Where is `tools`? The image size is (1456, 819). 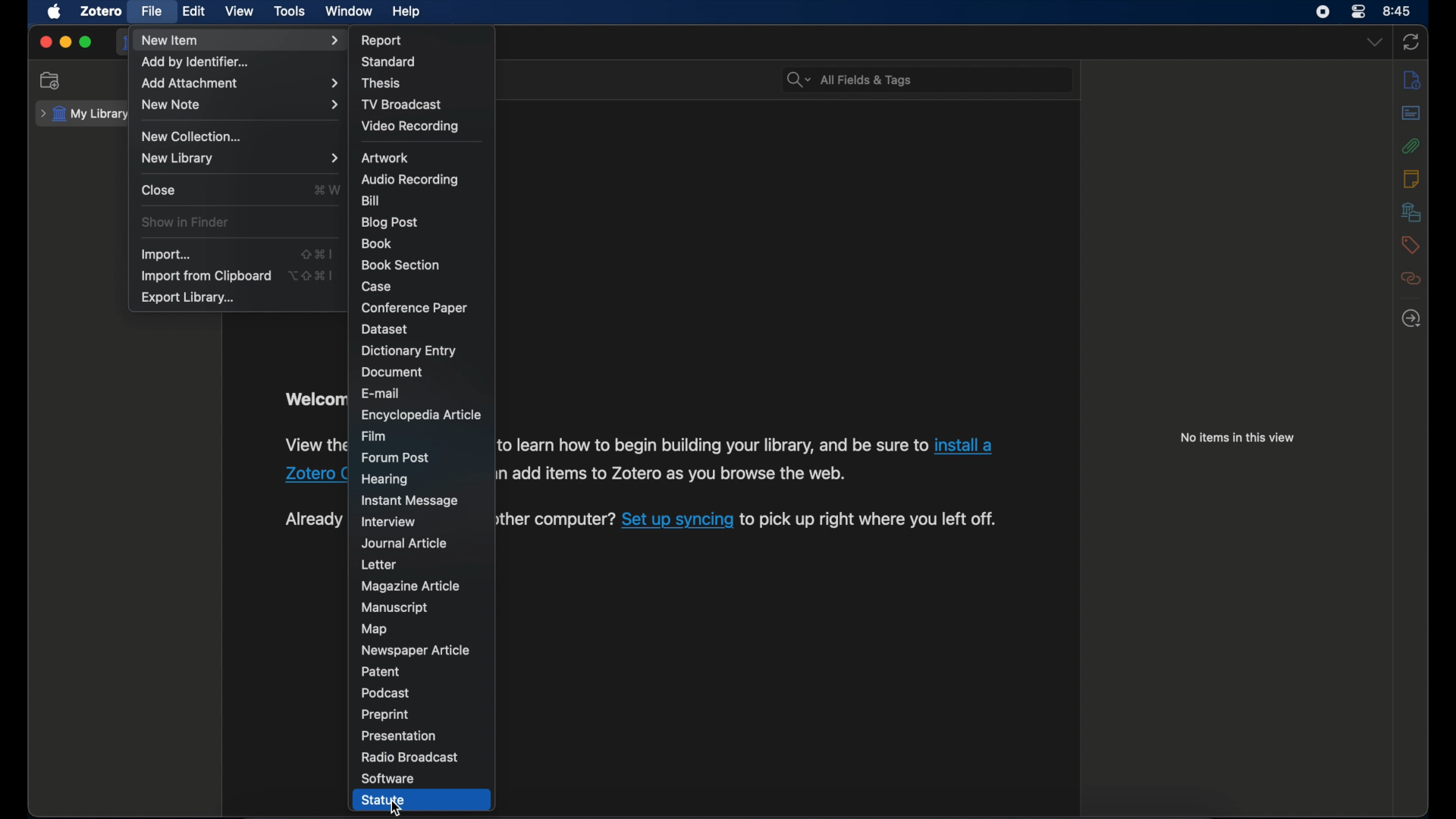
tools is located at coordinates (290, 11).